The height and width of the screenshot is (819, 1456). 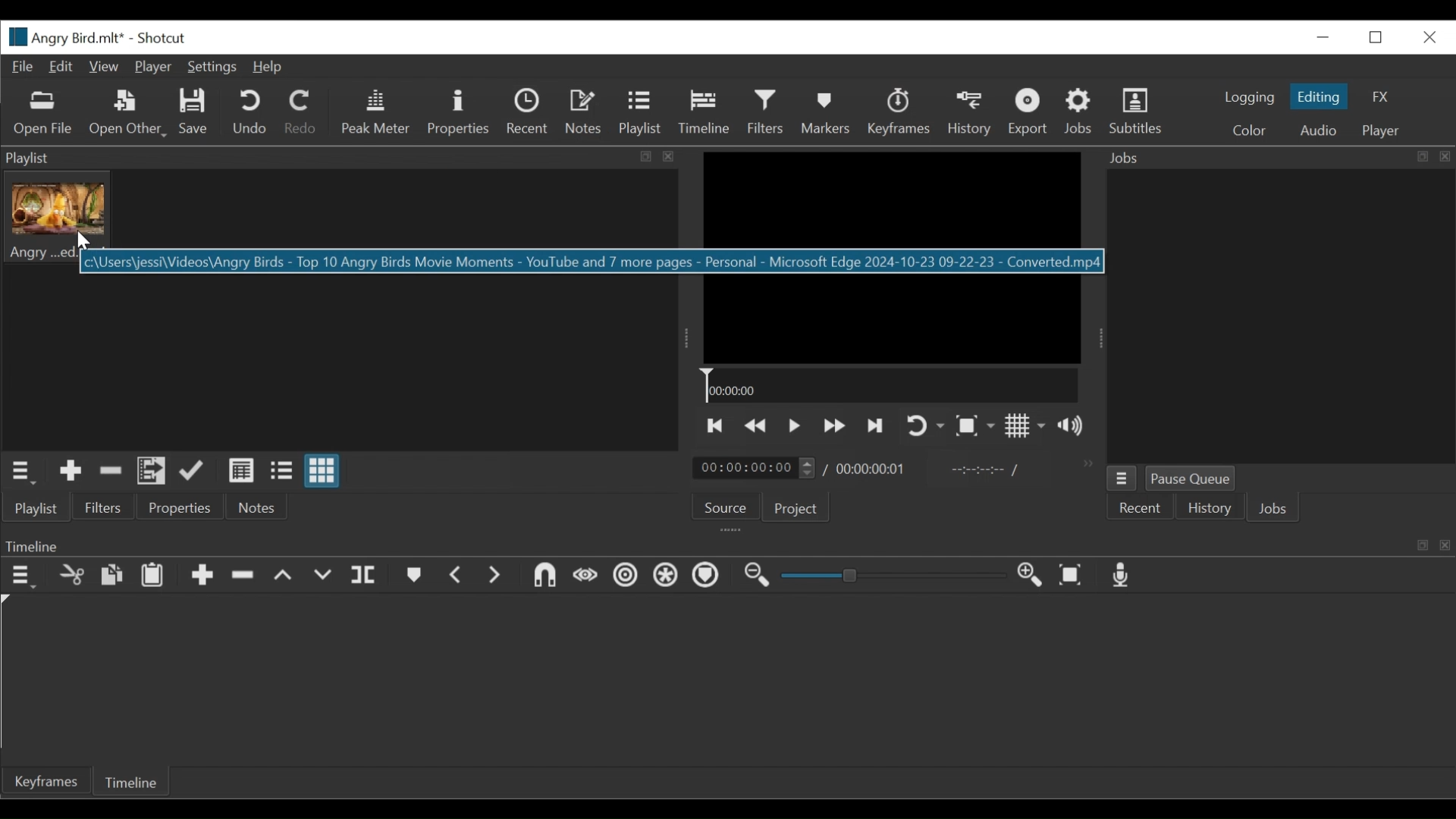 What do you see at coordinates (877, 425) in the screenshot?
I see `Play the next point quickly` at bounding box center [877, 425].